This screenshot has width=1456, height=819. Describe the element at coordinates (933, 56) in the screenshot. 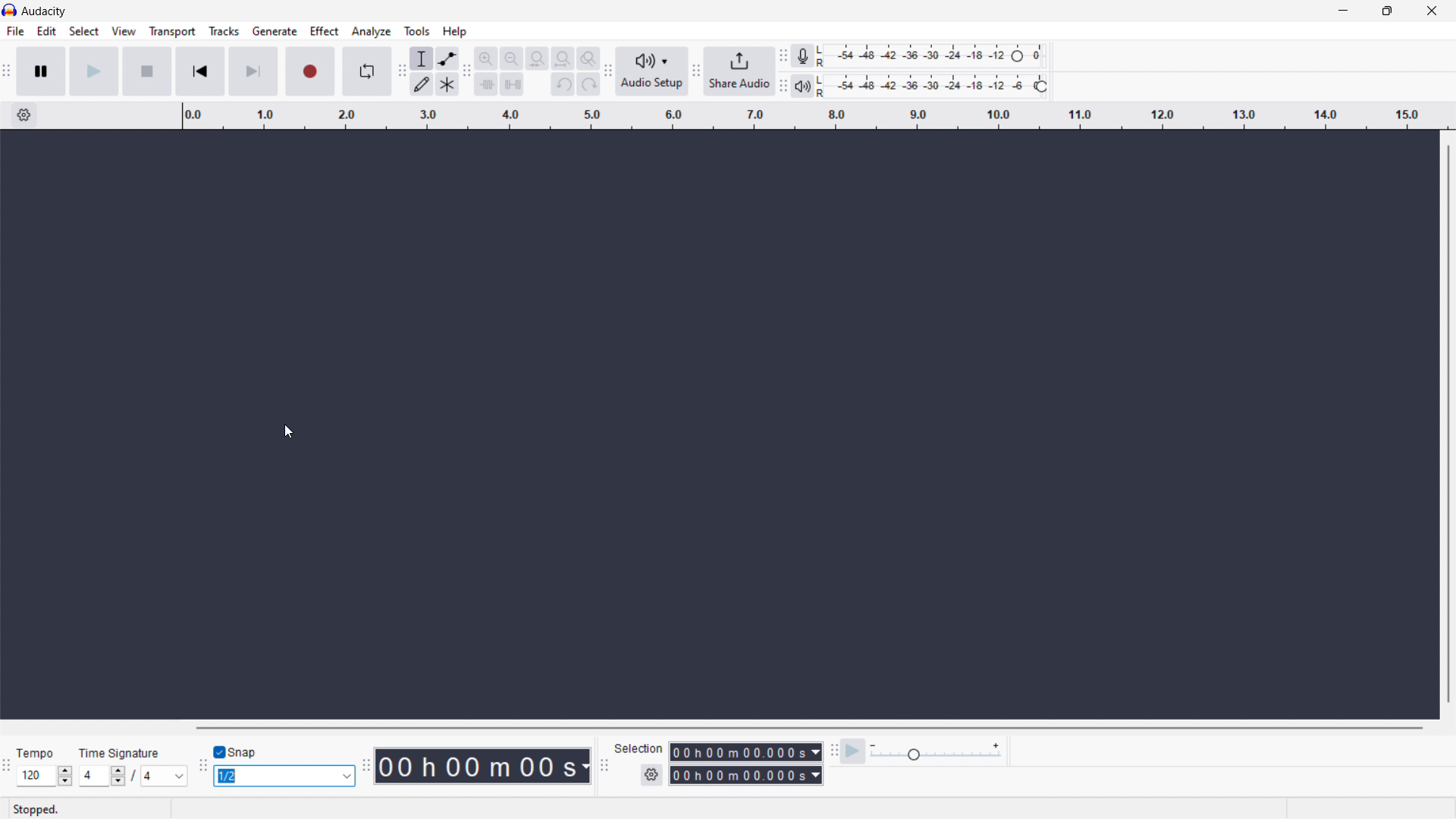

I see `recording level meter` at that location.